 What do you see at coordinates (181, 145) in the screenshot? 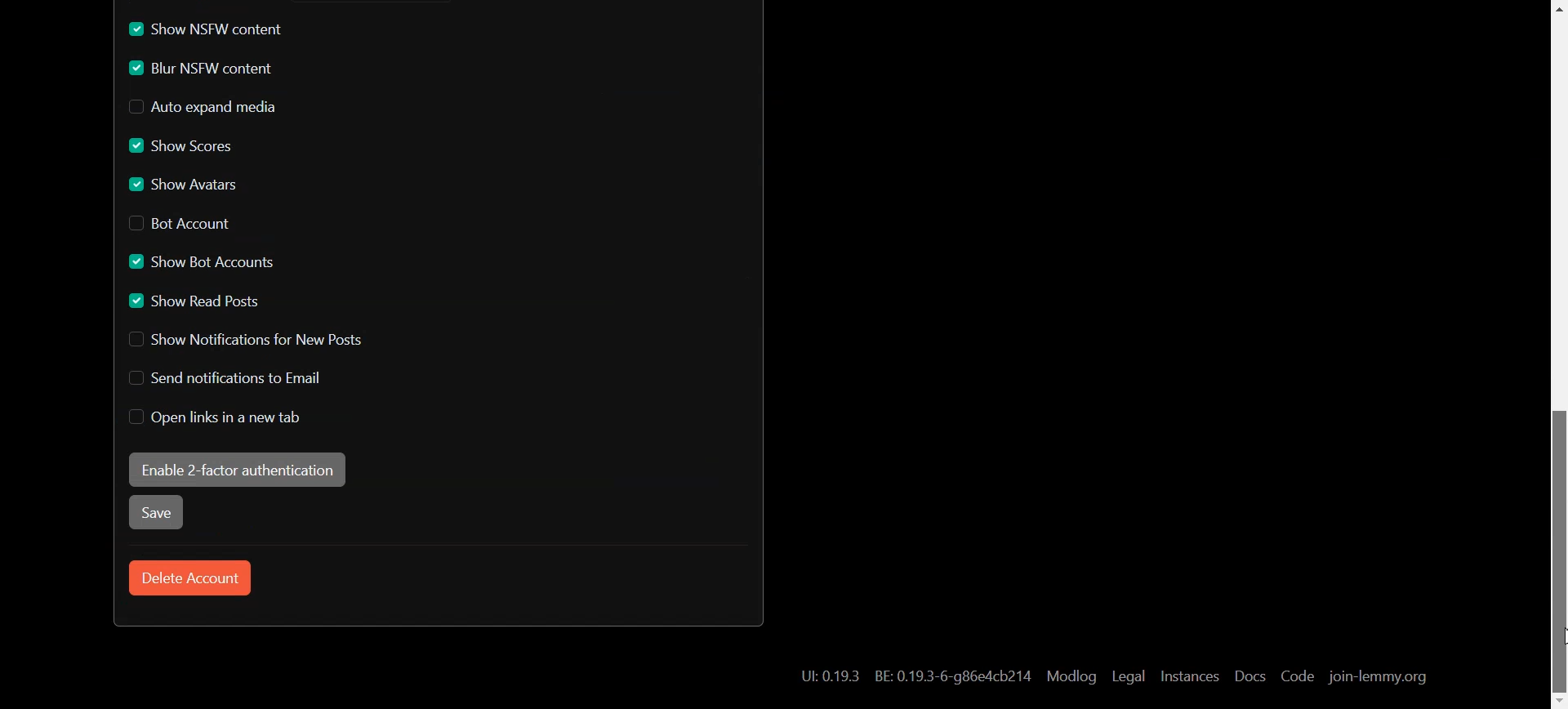
I see `Enable Show Scores` at bounding box center [181, 145].